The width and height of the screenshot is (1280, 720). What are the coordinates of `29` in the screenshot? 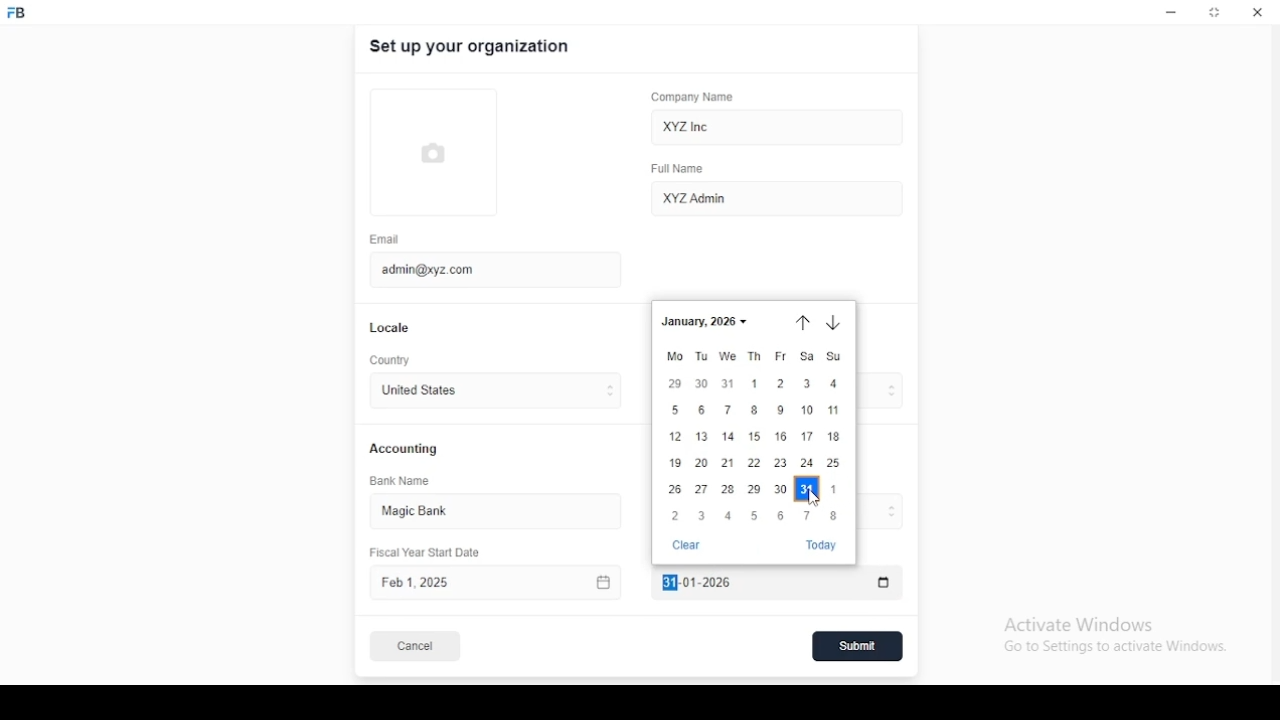 It's located at (677, 383).